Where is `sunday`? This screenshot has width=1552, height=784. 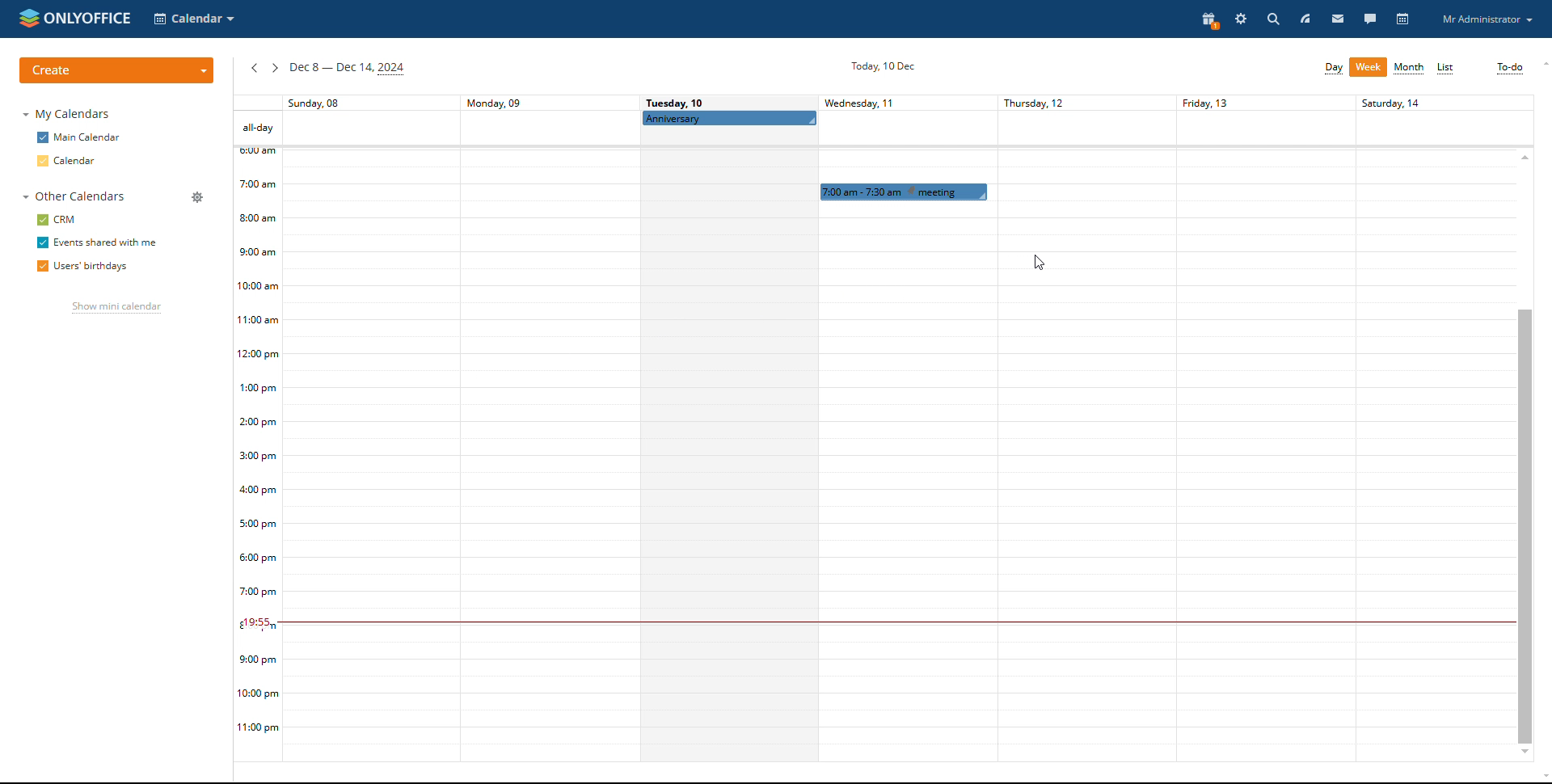
sunday is located at coordinates (370, 430).